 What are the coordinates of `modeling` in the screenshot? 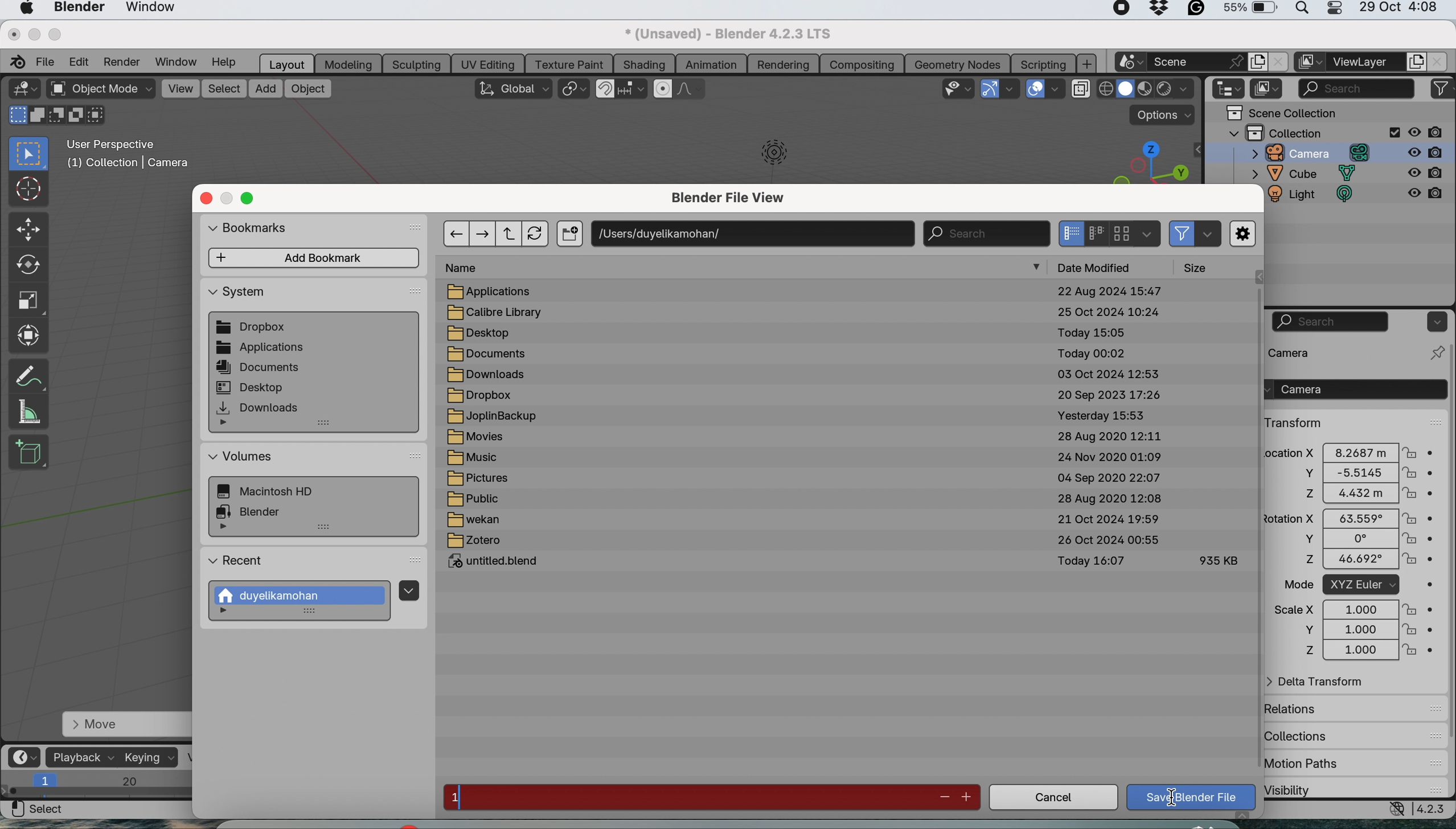 It's located at (349, 64).